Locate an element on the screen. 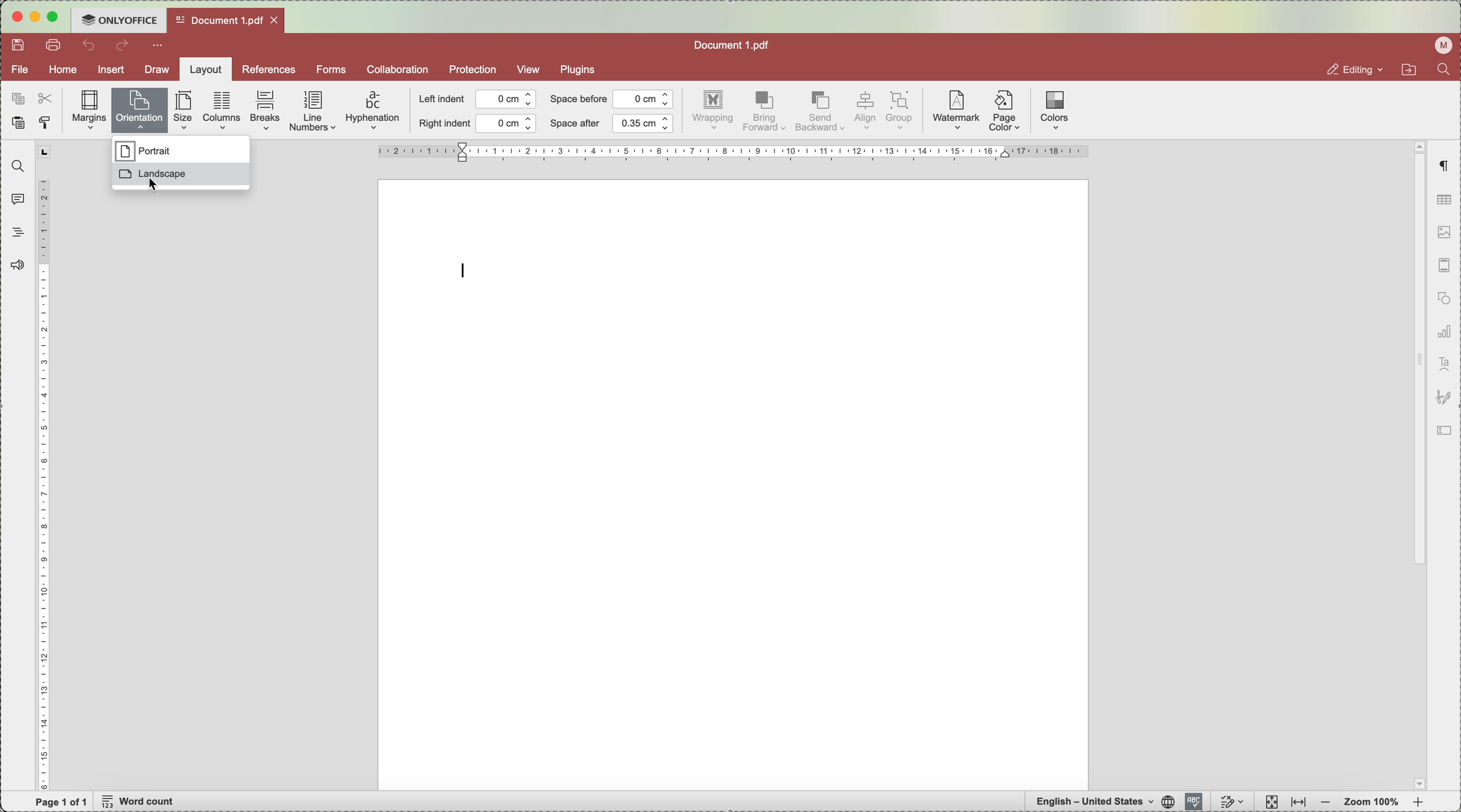 The image size is (1461, 812). track changes is located at coordinates (1232, 802).